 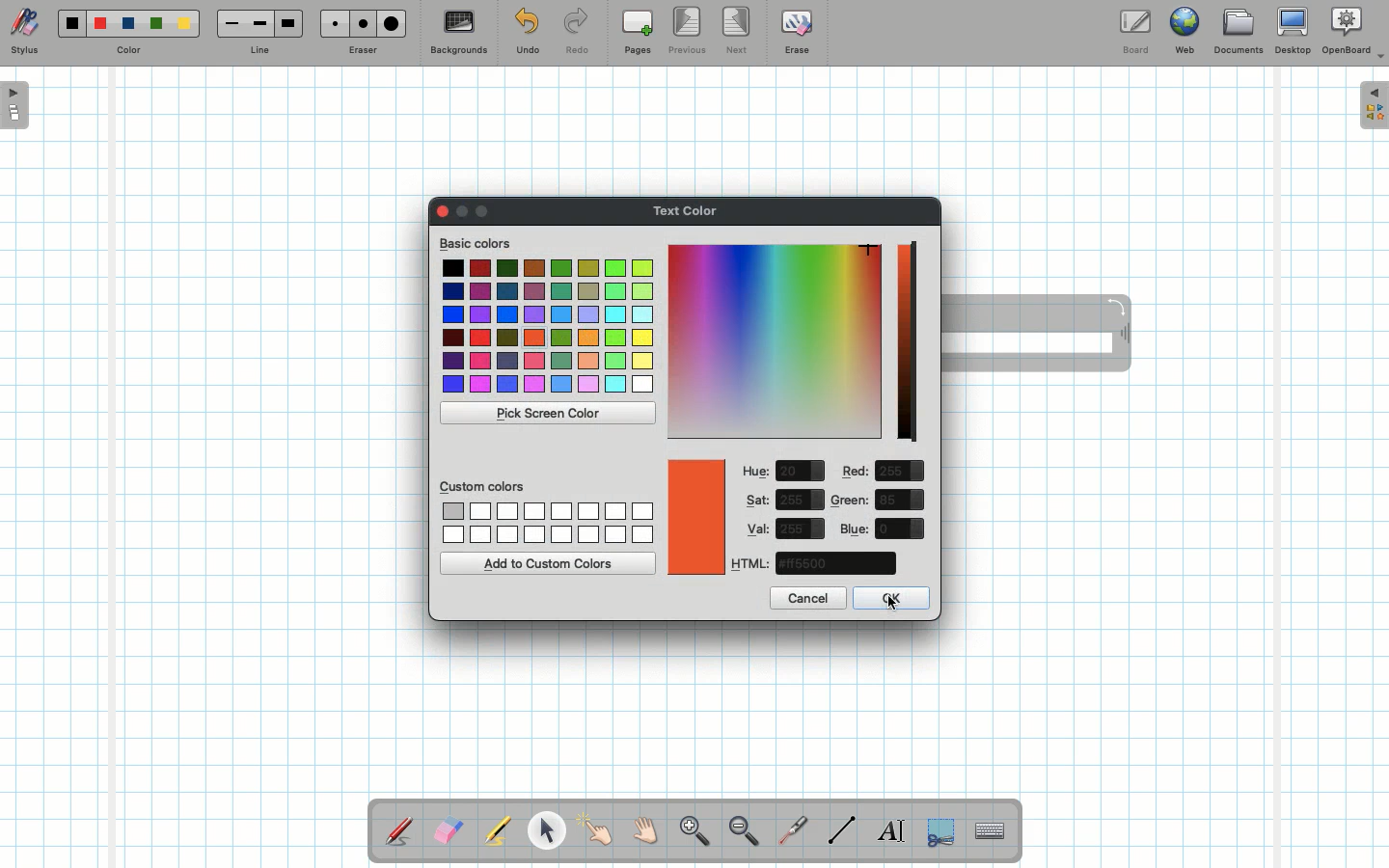 I want to click on Small line, so click(x=229, y=24).